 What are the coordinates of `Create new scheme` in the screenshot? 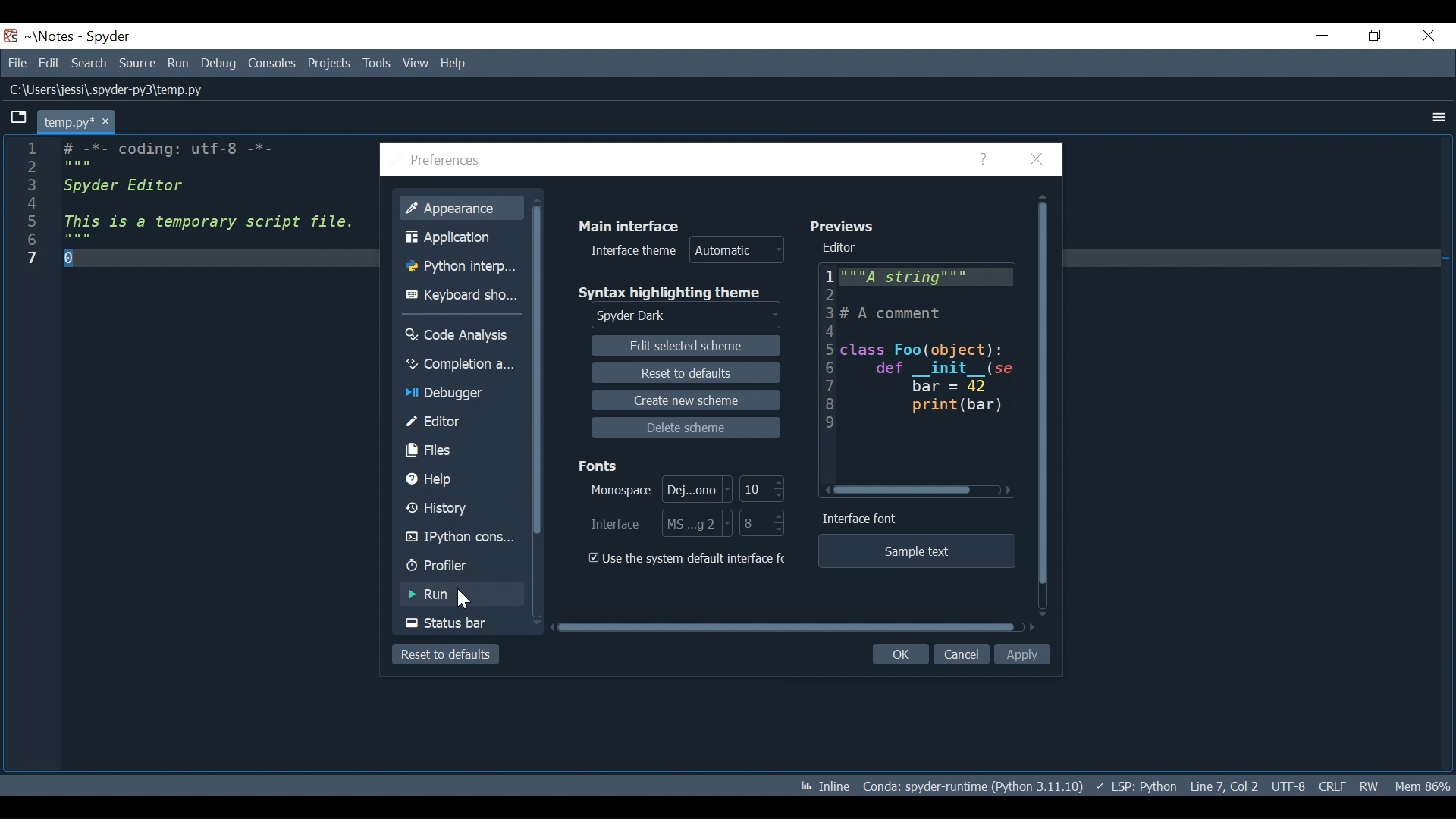 It's located at (681, 402).